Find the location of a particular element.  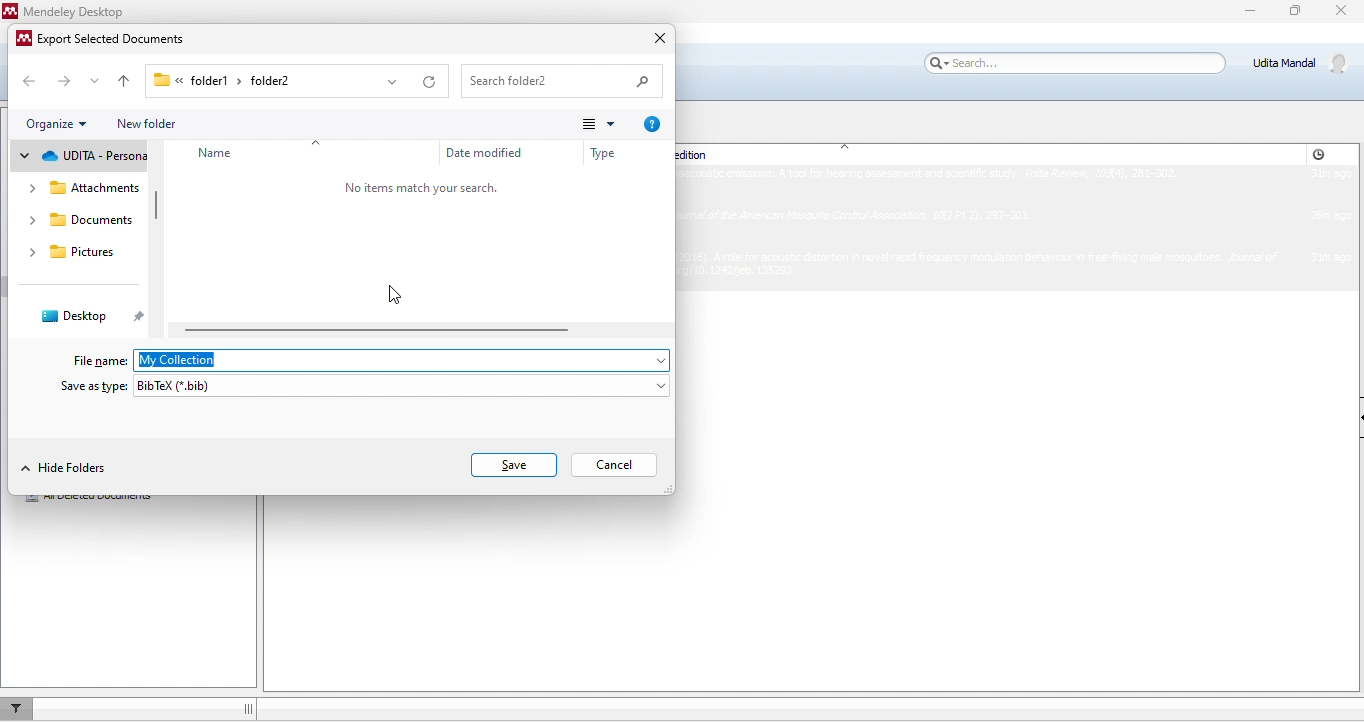

hide folders is located at coordinates (69, 467).